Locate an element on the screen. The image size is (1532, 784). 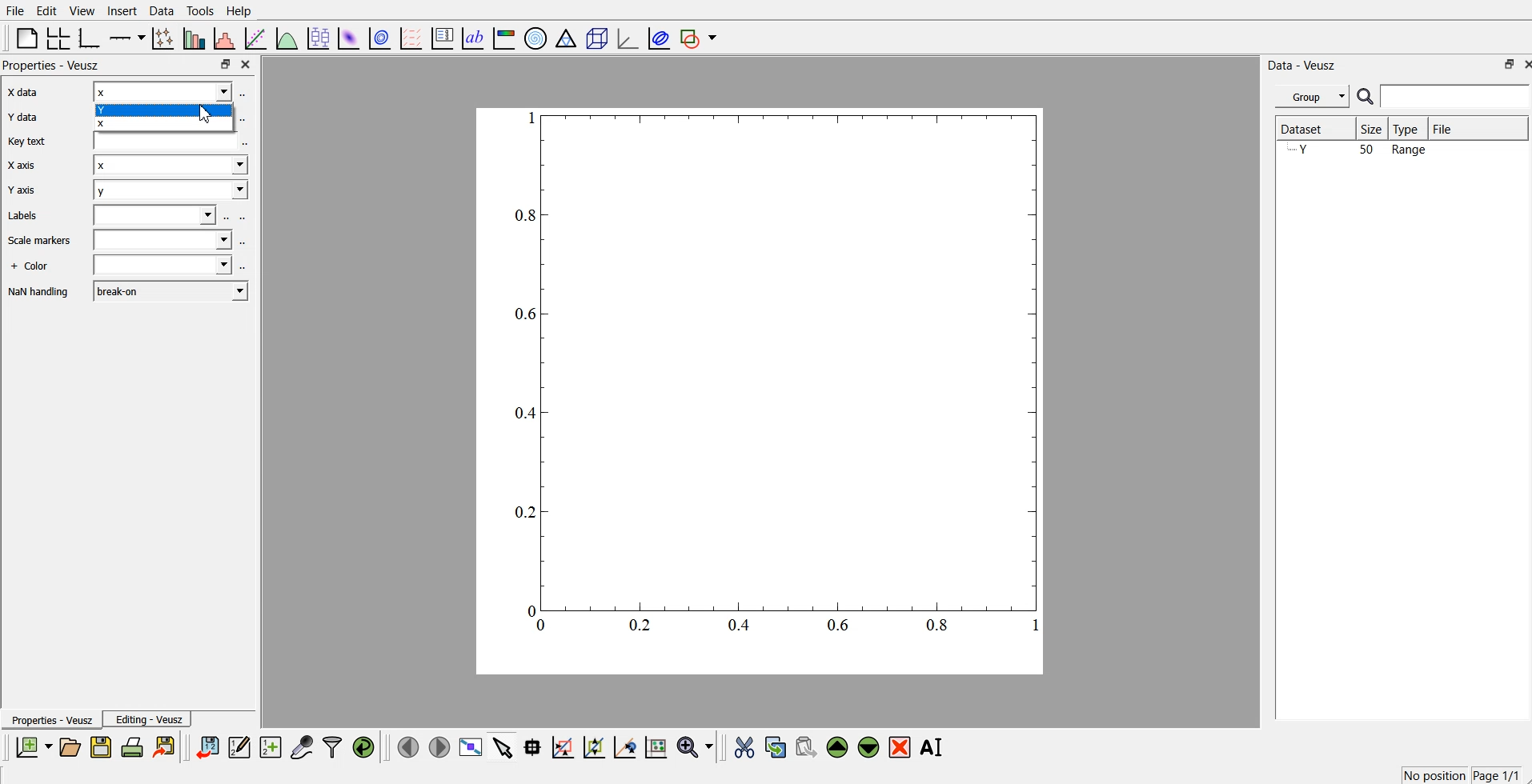
zoom functions is located at coordinates (696, 746).